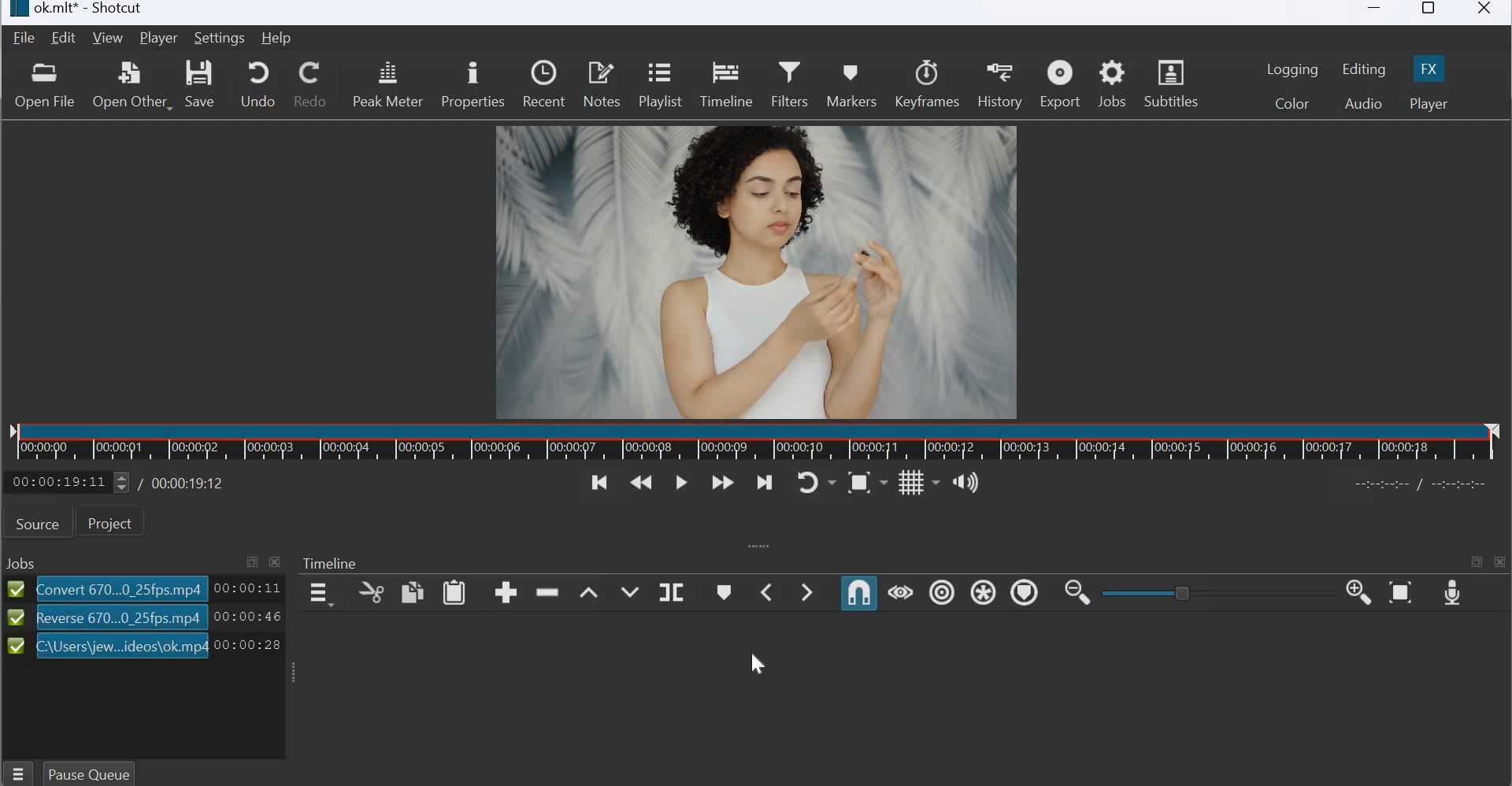 The image size is (1512, 786). Describe the element at coordinates (313, 83) in the screenshot. I see `Redo` at that location.